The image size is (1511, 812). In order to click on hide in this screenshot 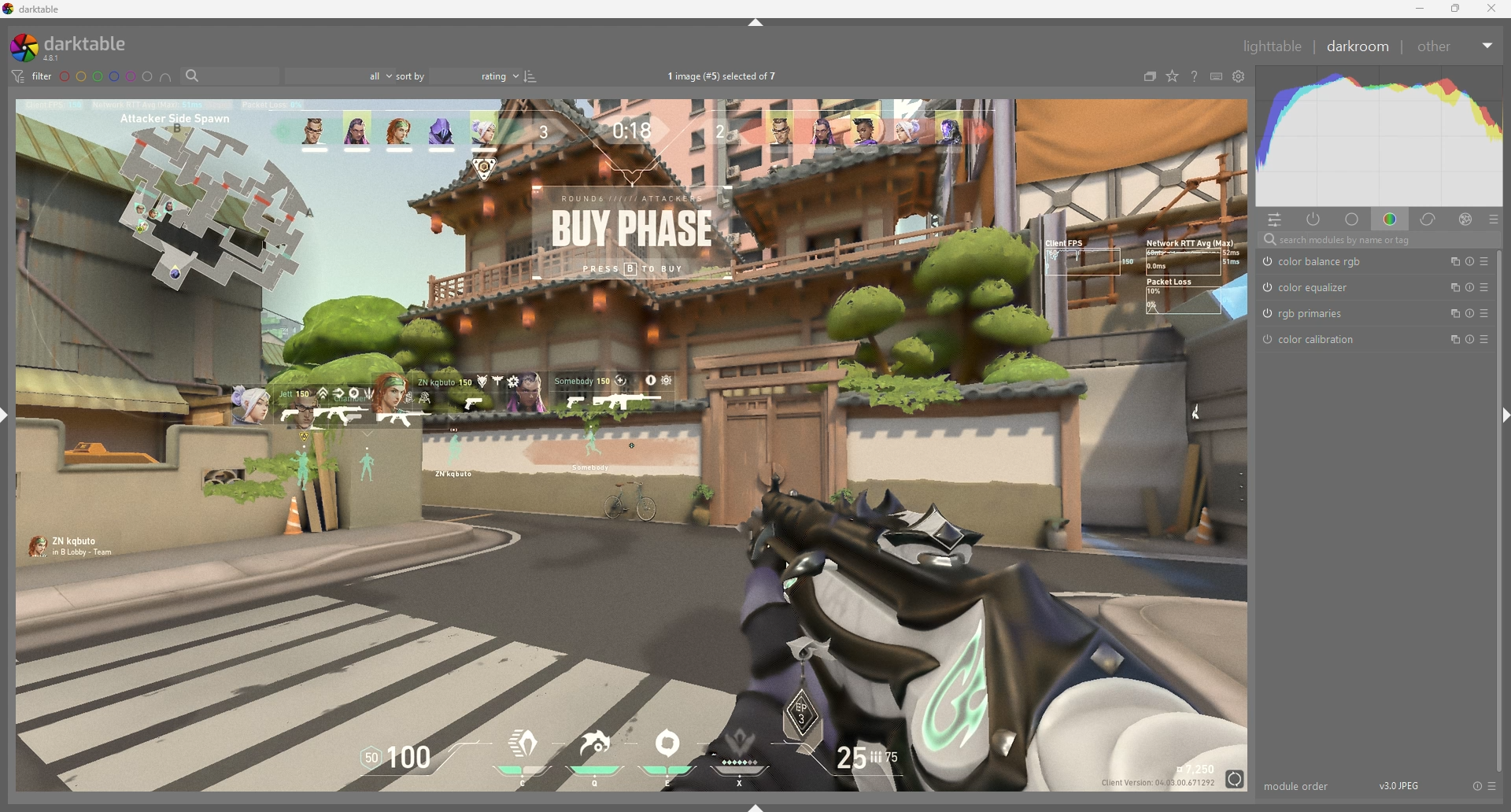, I will do `click(756, 23)`.